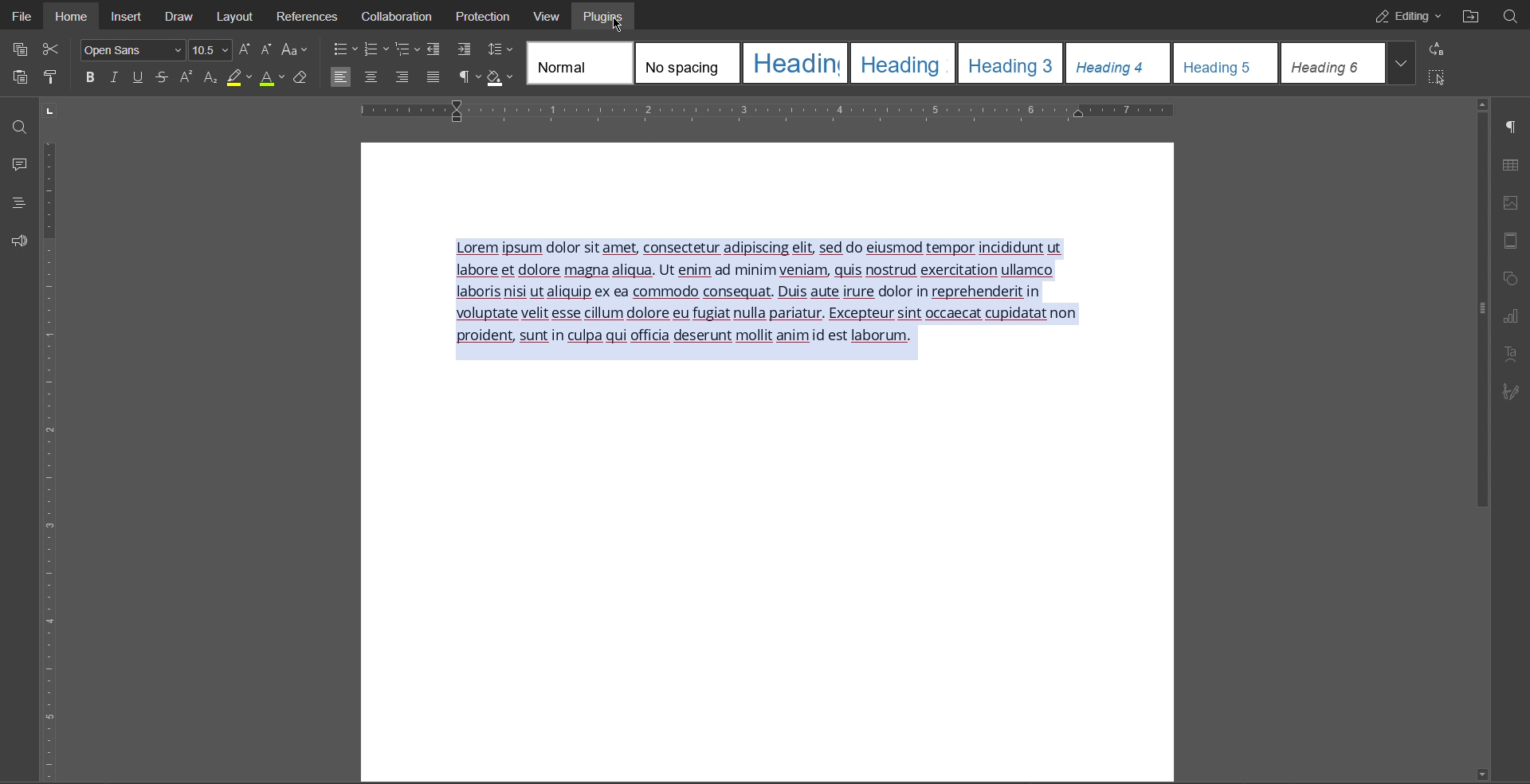 This screenshot has width=1530, height=784. I want to click on I, so click(115, 80).